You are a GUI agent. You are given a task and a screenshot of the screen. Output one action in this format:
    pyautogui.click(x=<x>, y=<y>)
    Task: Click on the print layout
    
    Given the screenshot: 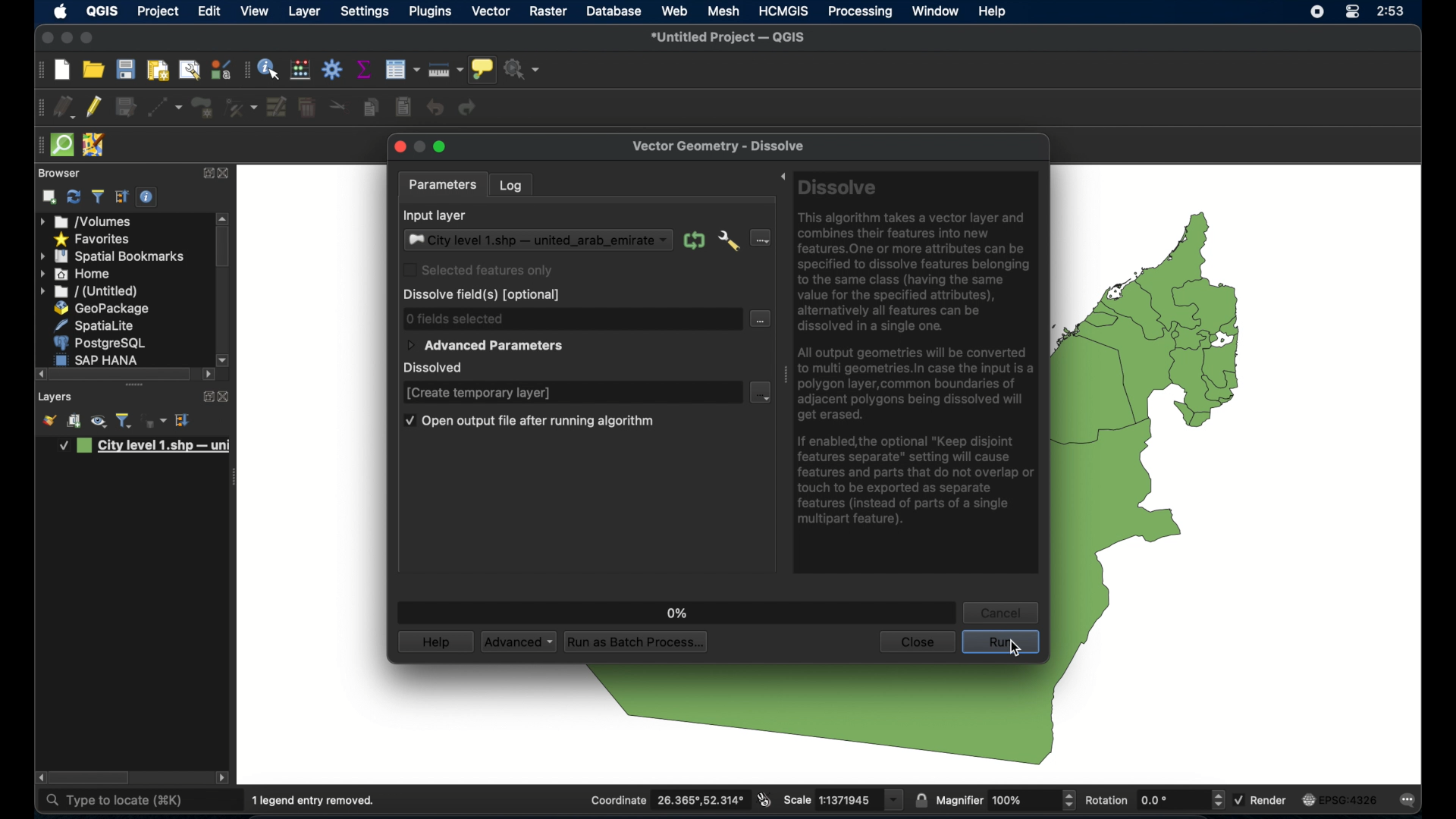 What is the action you would take?
    pyautogui.click(x=156, y=71)
    